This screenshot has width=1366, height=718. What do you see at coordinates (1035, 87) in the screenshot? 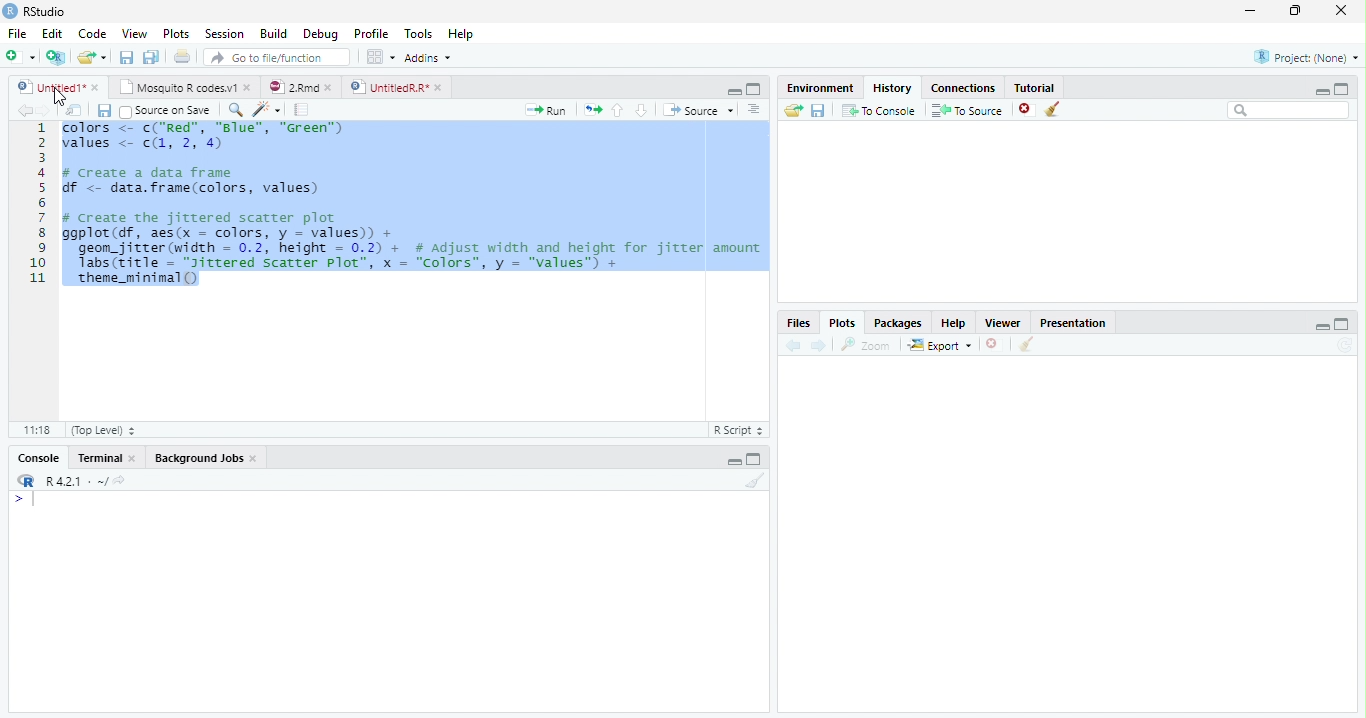
I see `Tutorial` at bounding box center [1035, 87].